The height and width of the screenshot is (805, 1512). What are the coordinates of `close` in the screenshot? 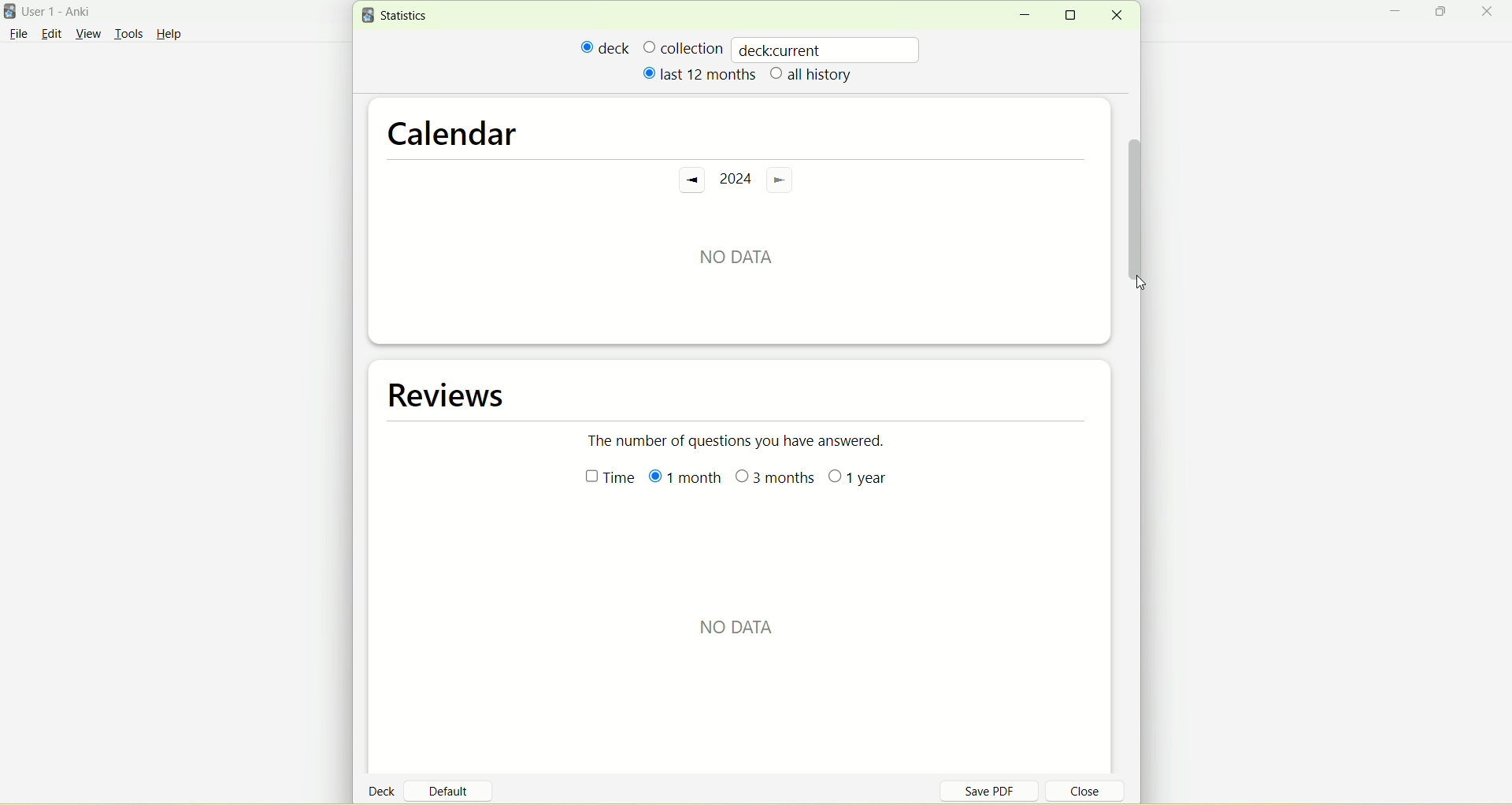 It's located at (1116, 16).